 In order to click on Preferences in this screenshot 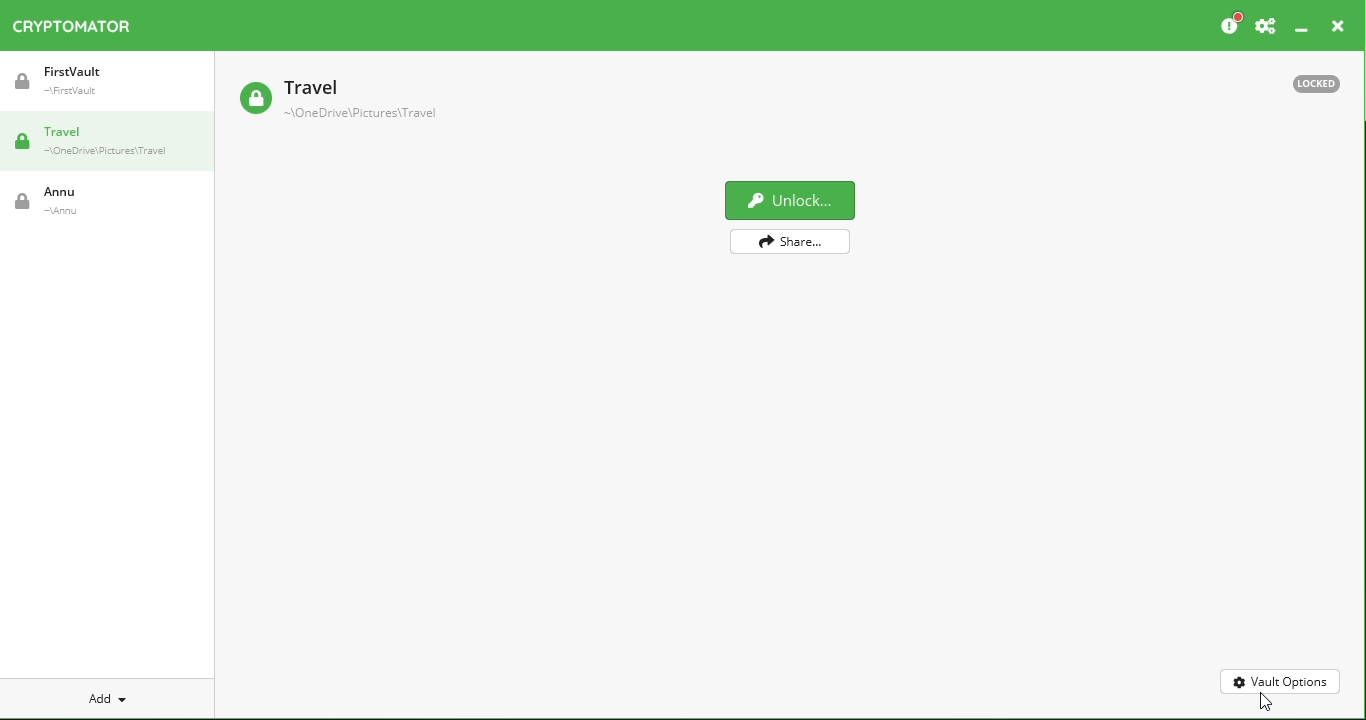, I will do `click(1265, 23)`.